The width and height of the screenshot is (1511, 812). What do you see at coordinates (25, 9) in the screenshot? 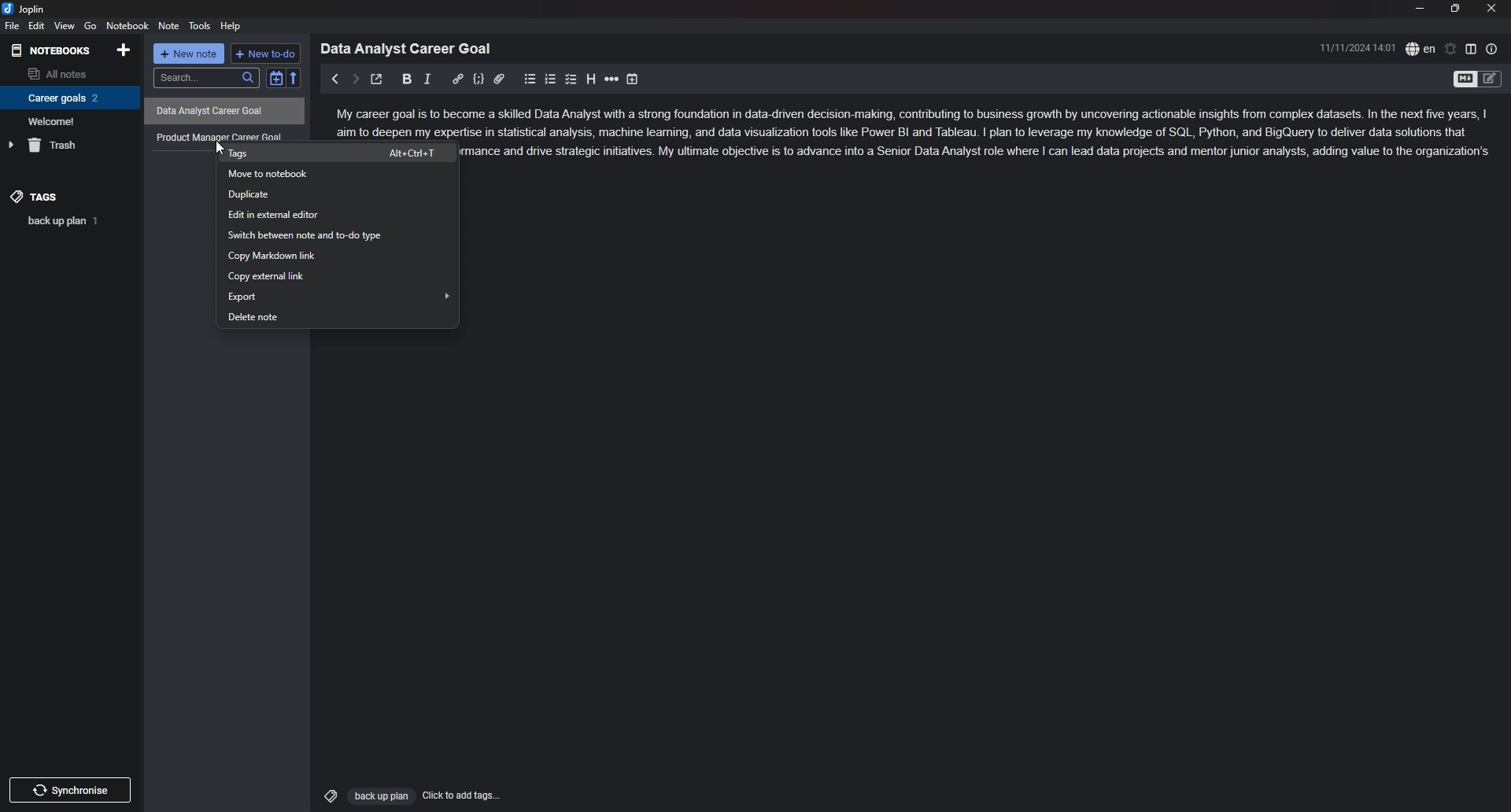
I see `joplin` at bounding box center [25, 9].